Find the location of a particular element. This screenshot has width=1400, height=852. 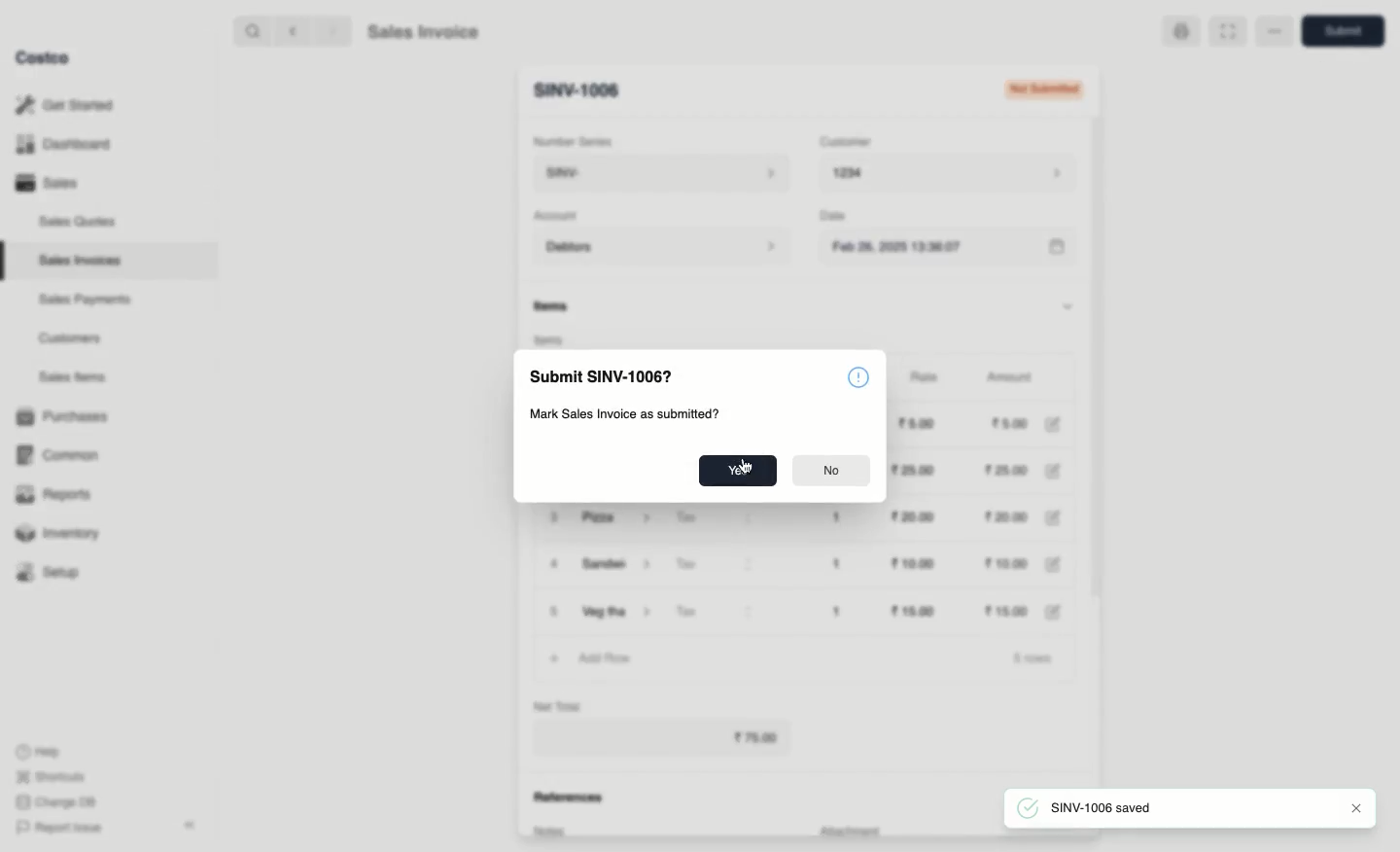

Back is located at coordinates (291, 31).